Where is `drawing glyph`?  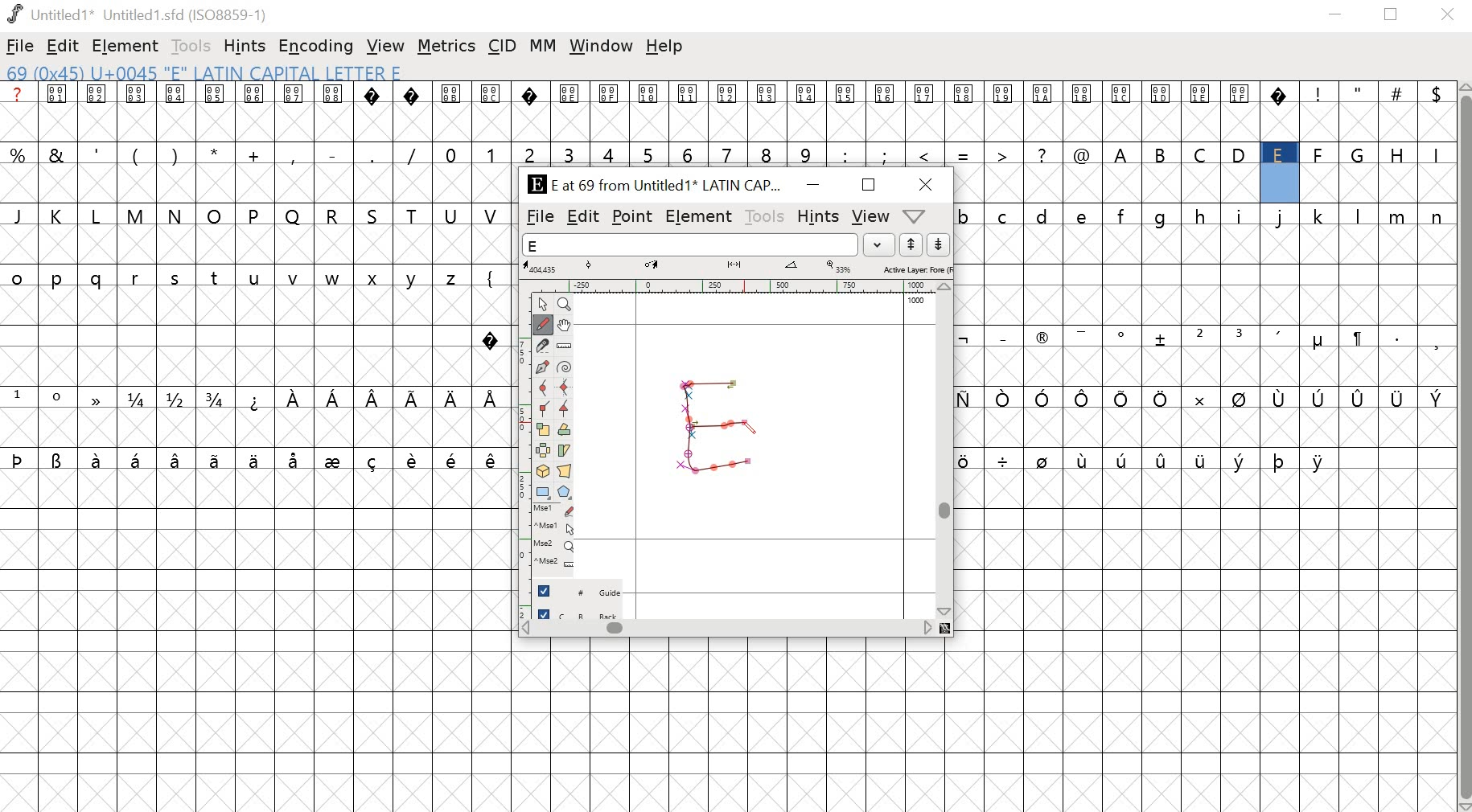
drawing glyph is located at coordinates (714, 425).